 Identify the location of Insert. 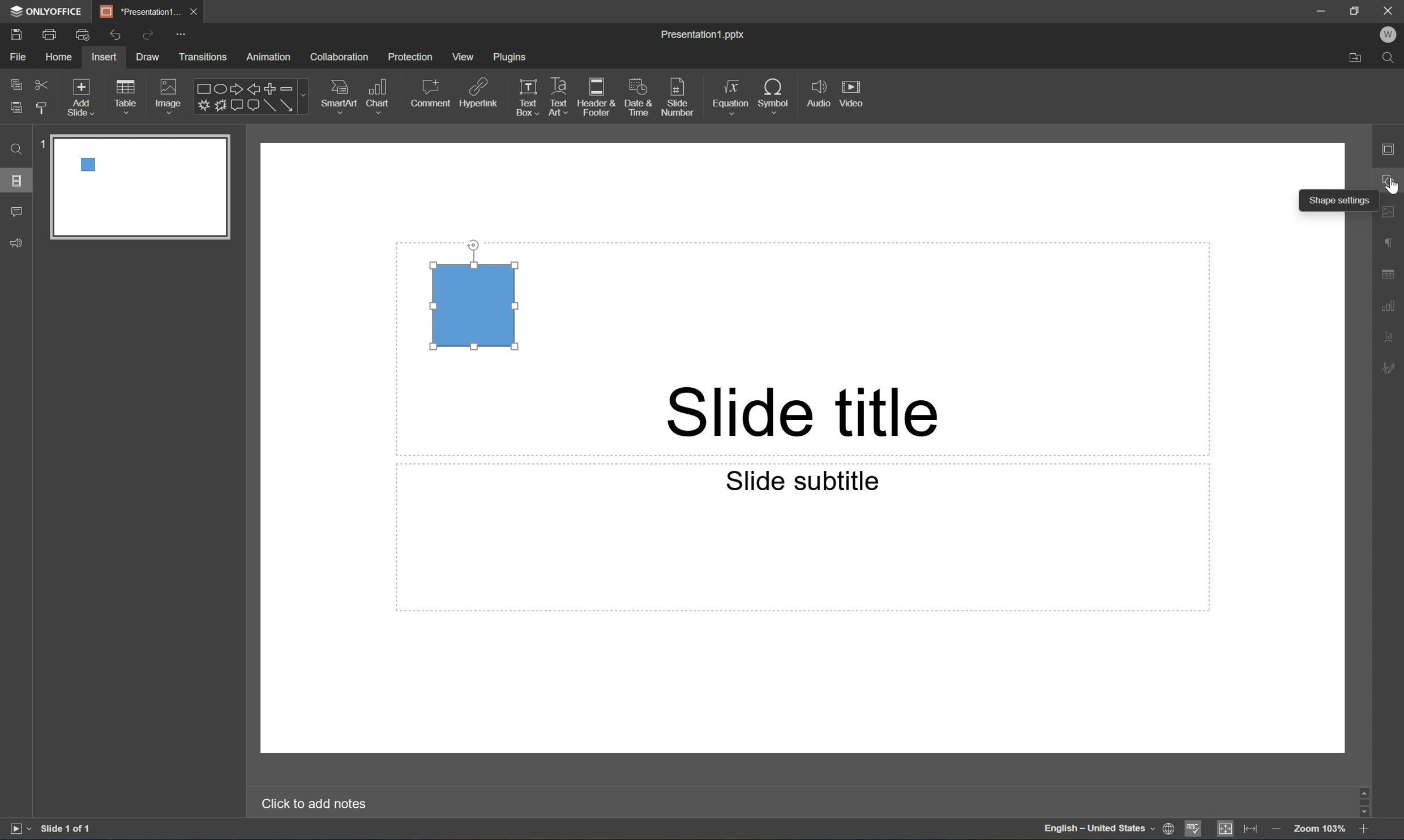
(104, 57).